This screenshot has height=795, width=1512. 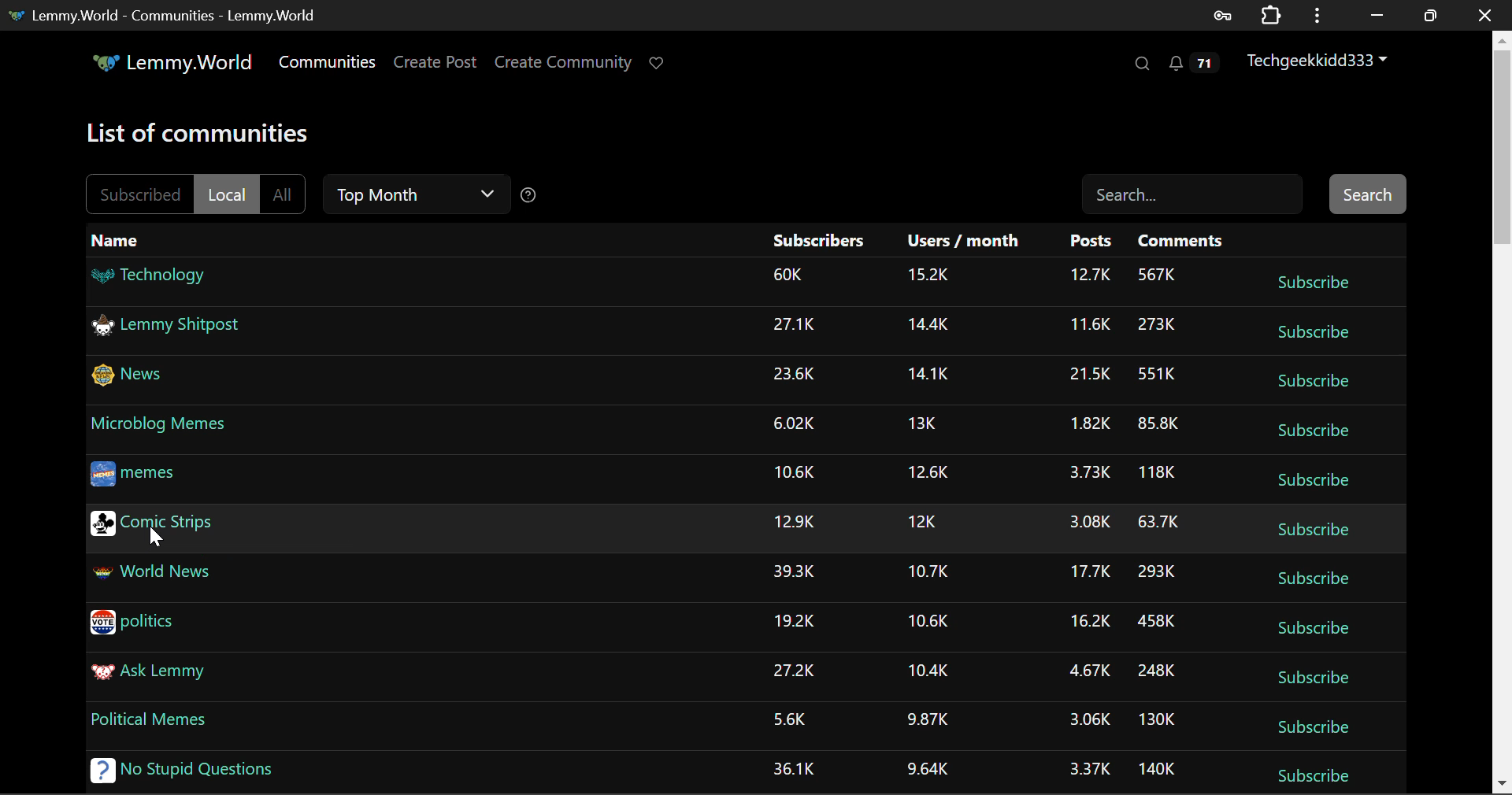 I want to click on Communities, so click(x=329, y=65).